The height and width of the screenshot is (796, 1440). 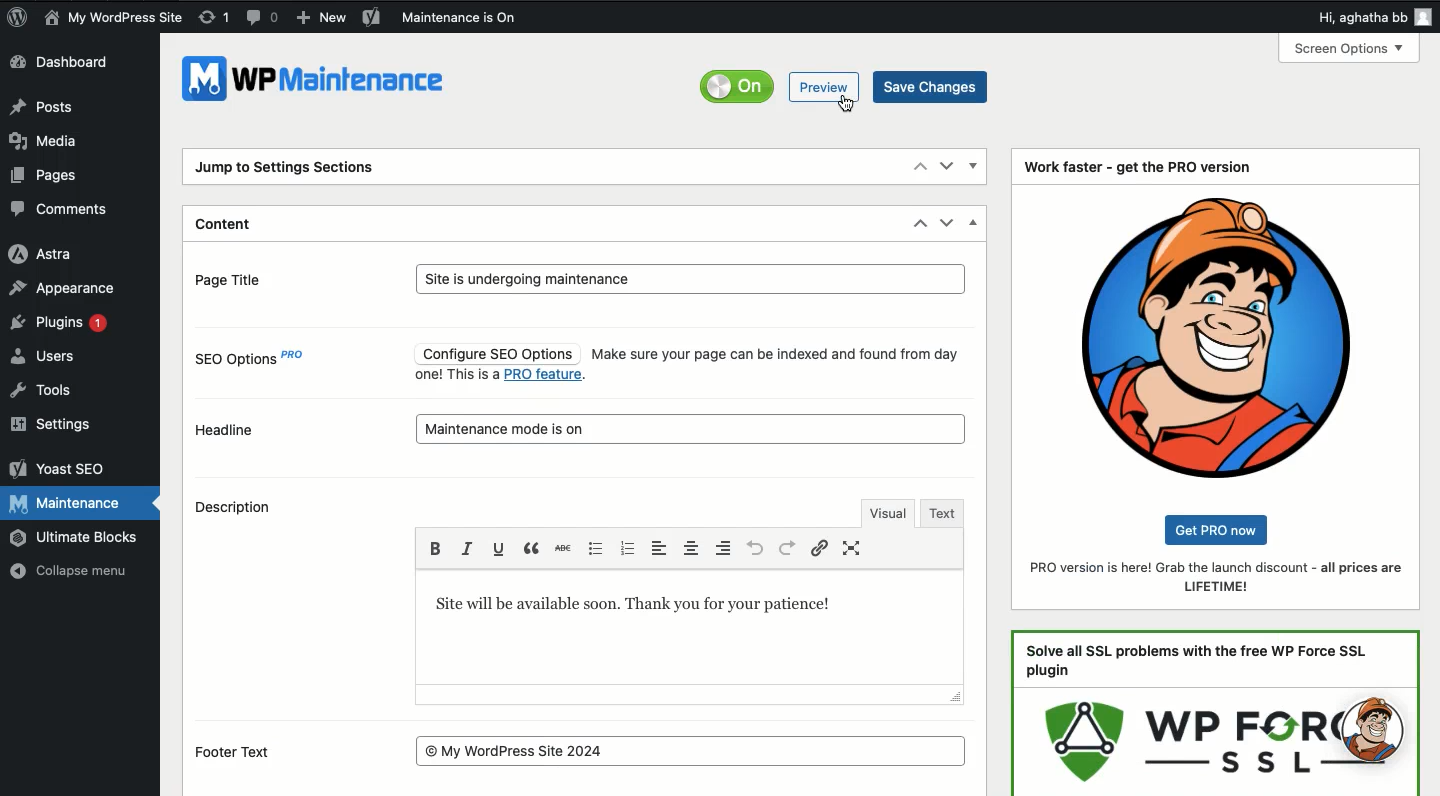 What do you see at coordinates (49, 177) in the screenshot?
I see `Pages` at bounding box center [49, 177].